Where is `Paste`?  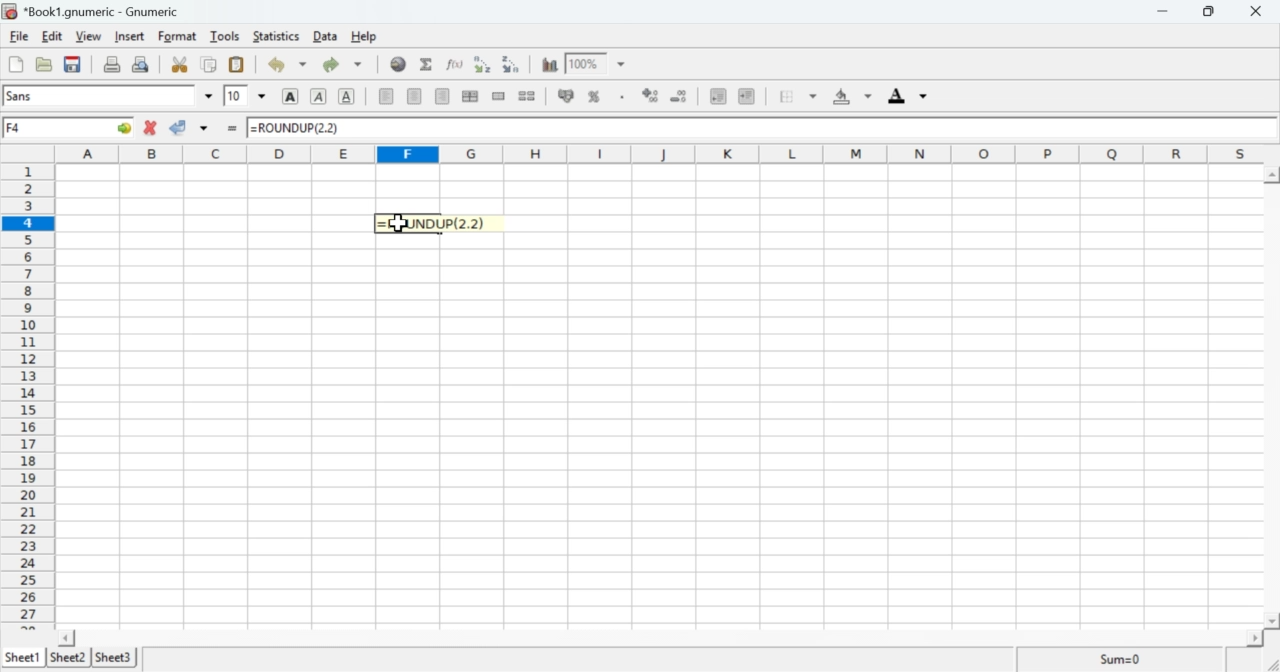 Paste is located at coordinates (238, 63).